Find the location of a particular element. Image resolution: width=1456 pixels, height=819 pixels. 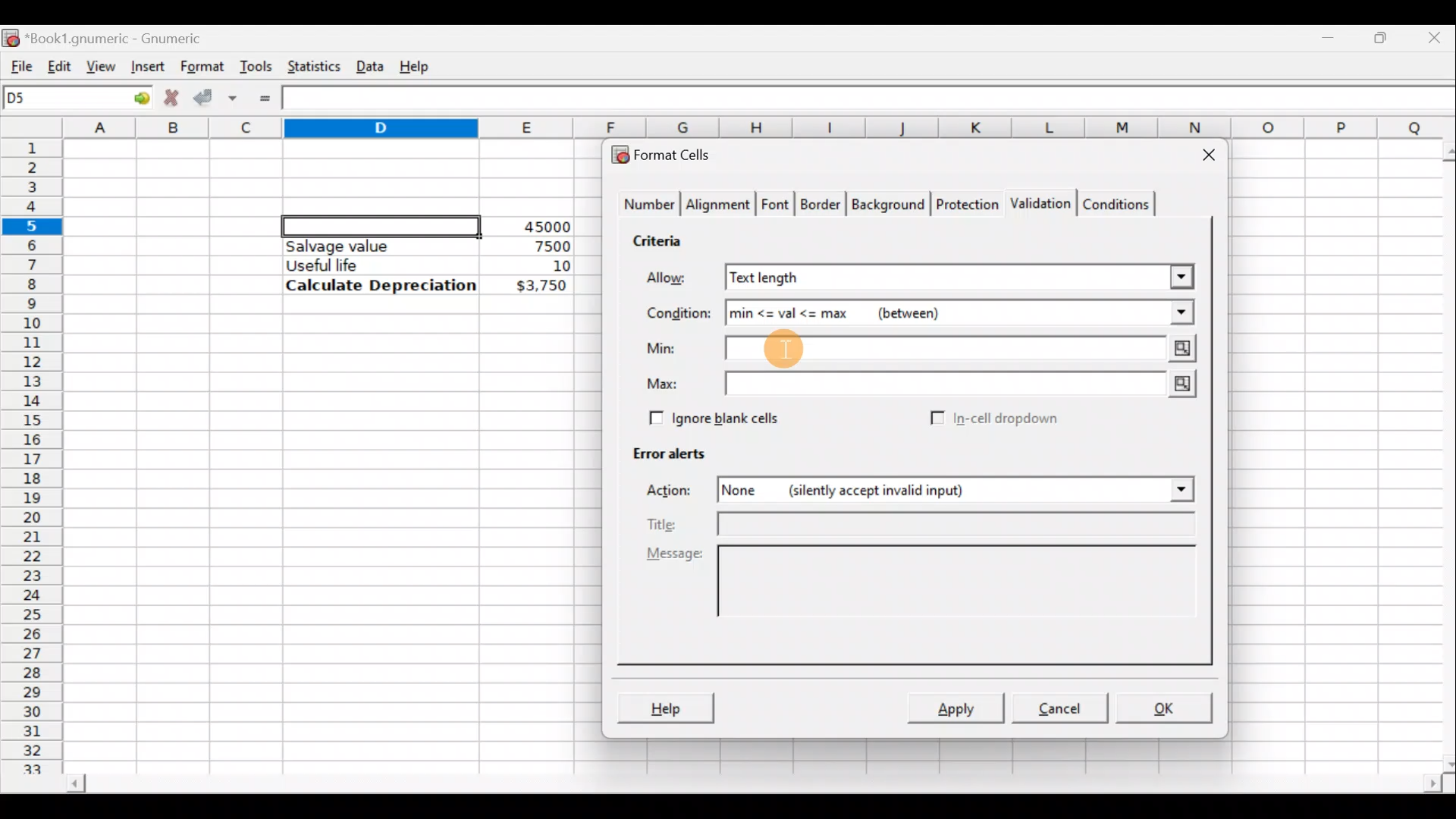

Selected cell is located at coordinates (381, 224).